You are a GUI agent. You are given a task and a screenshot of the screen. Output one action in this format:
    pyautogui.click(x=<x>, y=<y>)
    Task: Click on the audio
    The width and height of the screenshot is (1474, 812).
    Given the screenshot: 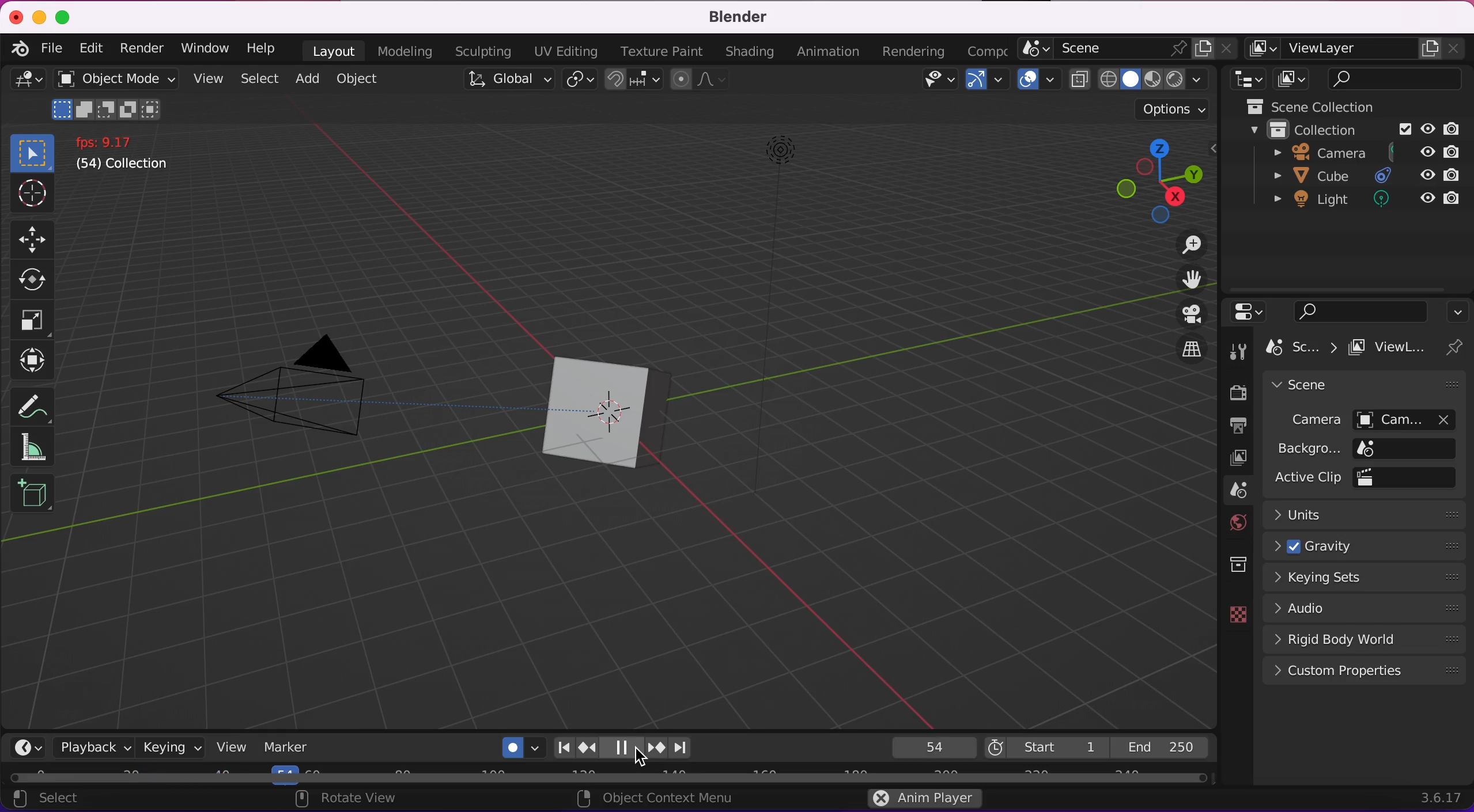 What is the action you would take?
    pyautogui.click(x=1367, y=608)
    